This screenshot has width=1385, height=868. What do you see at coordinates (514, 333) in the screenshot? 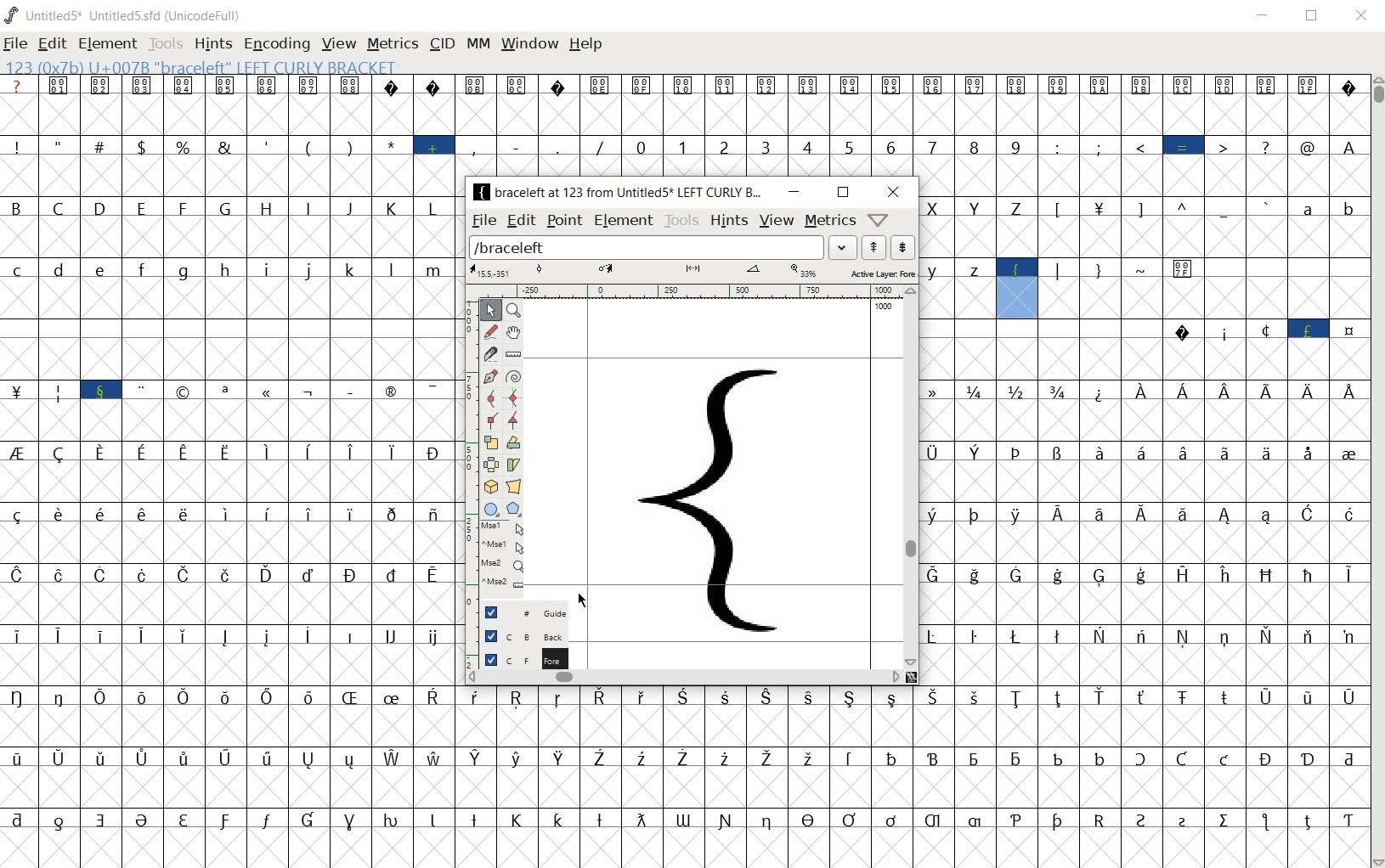
I see `scroll by hand` at bounding box center [514, 333].